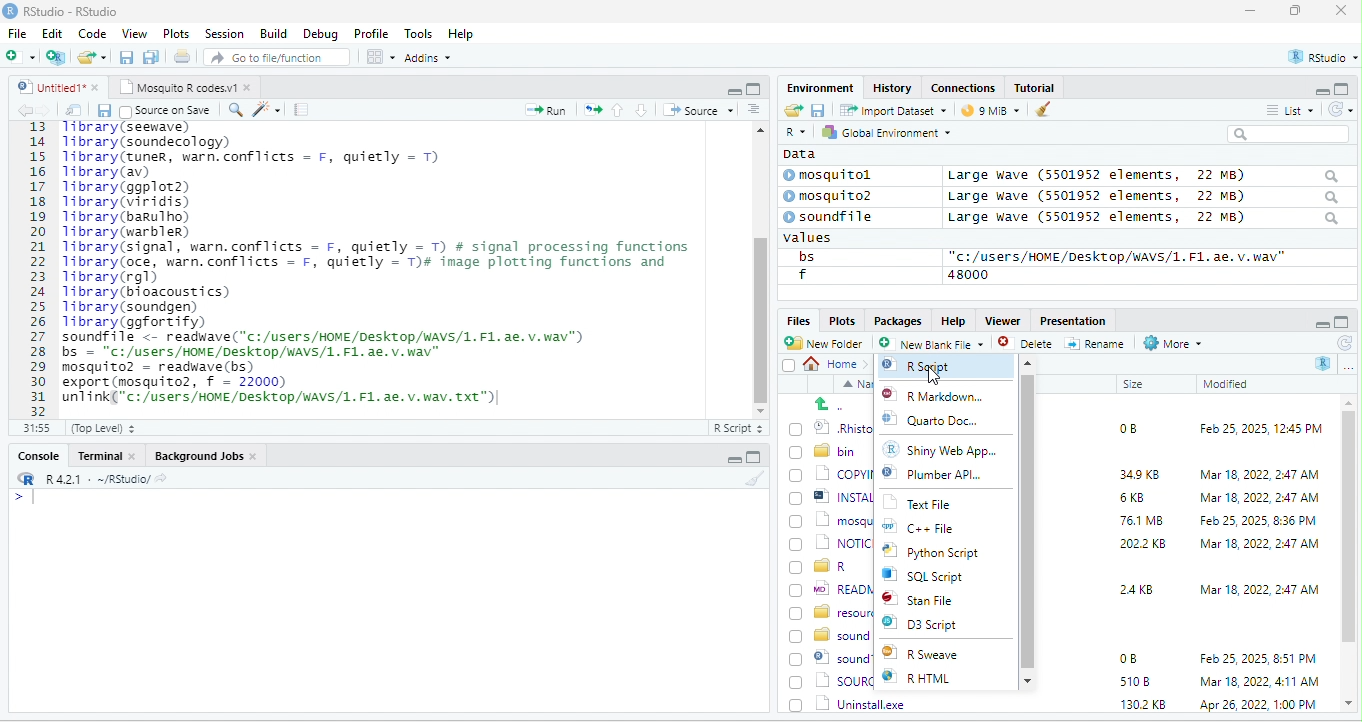  Describe the element at coordinates (797, 153) in the screenshot. I see `data` at that location.